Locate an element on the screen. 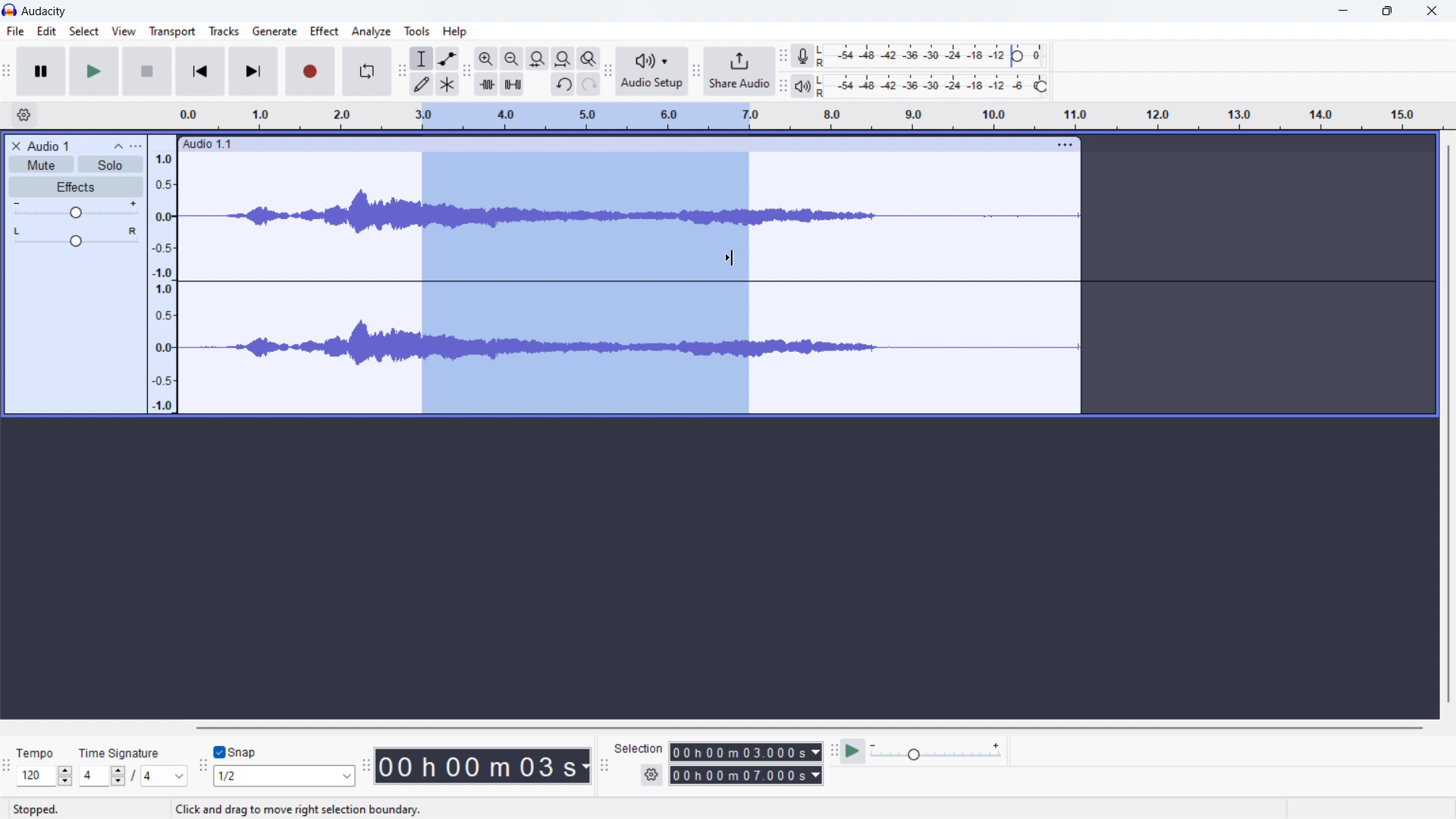  audacity transport window is located at coordinates (7, 70).